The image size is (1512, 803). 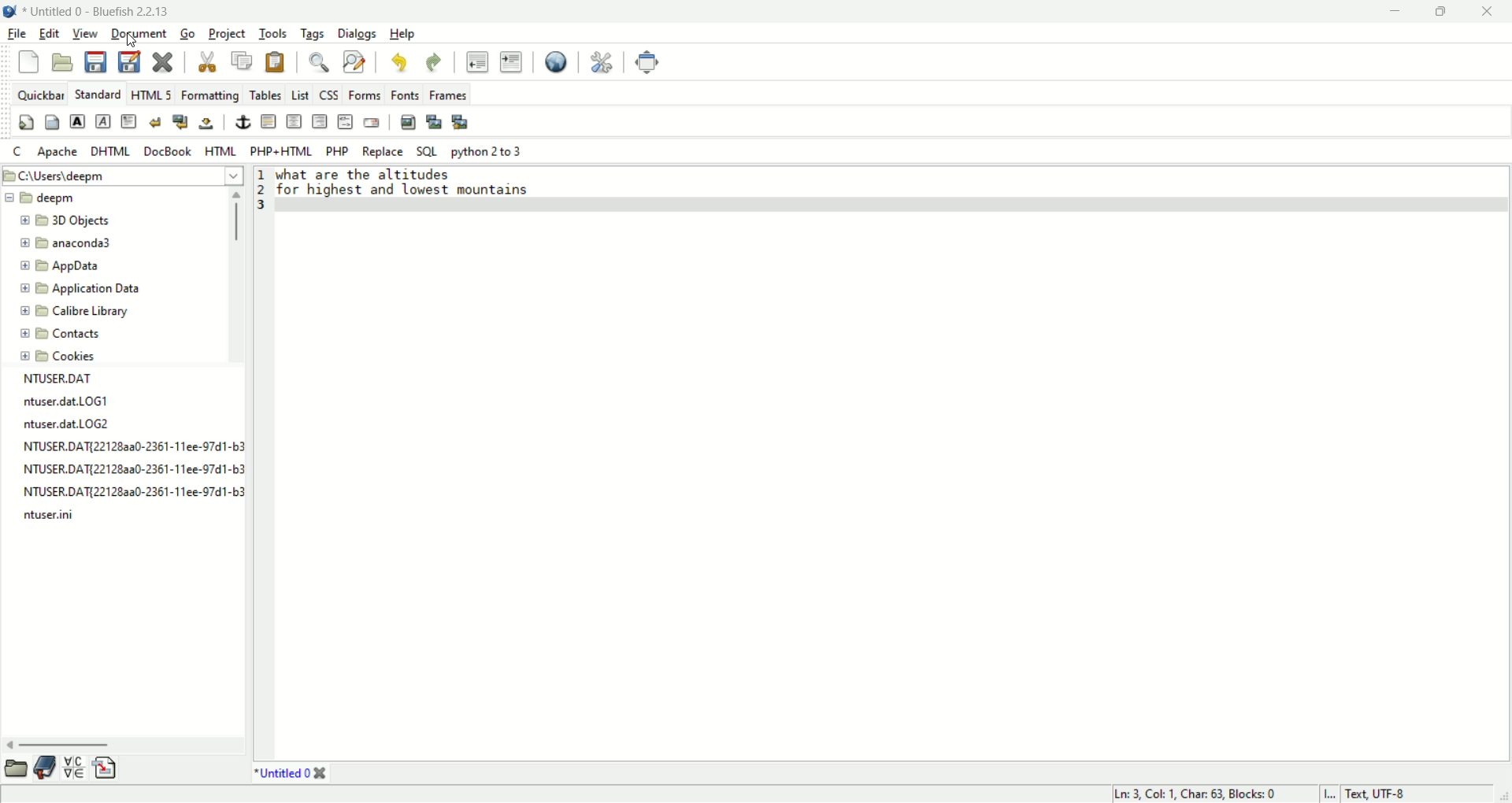 What do you see at coordinates (17, 766) in the screenshot?
I see `open` at bounding box center [17, 766].